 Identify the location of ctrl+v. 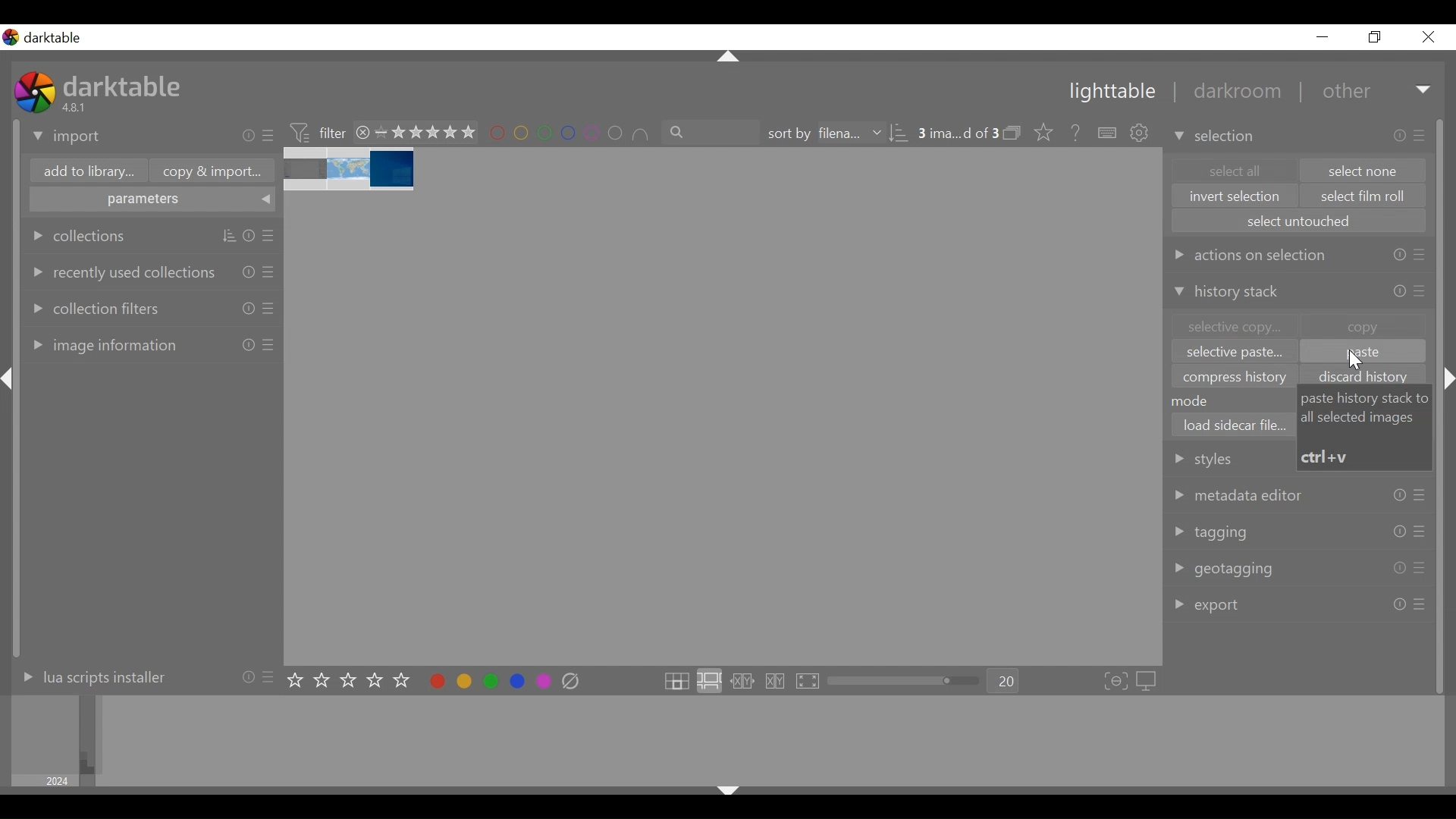
(1327, 457).